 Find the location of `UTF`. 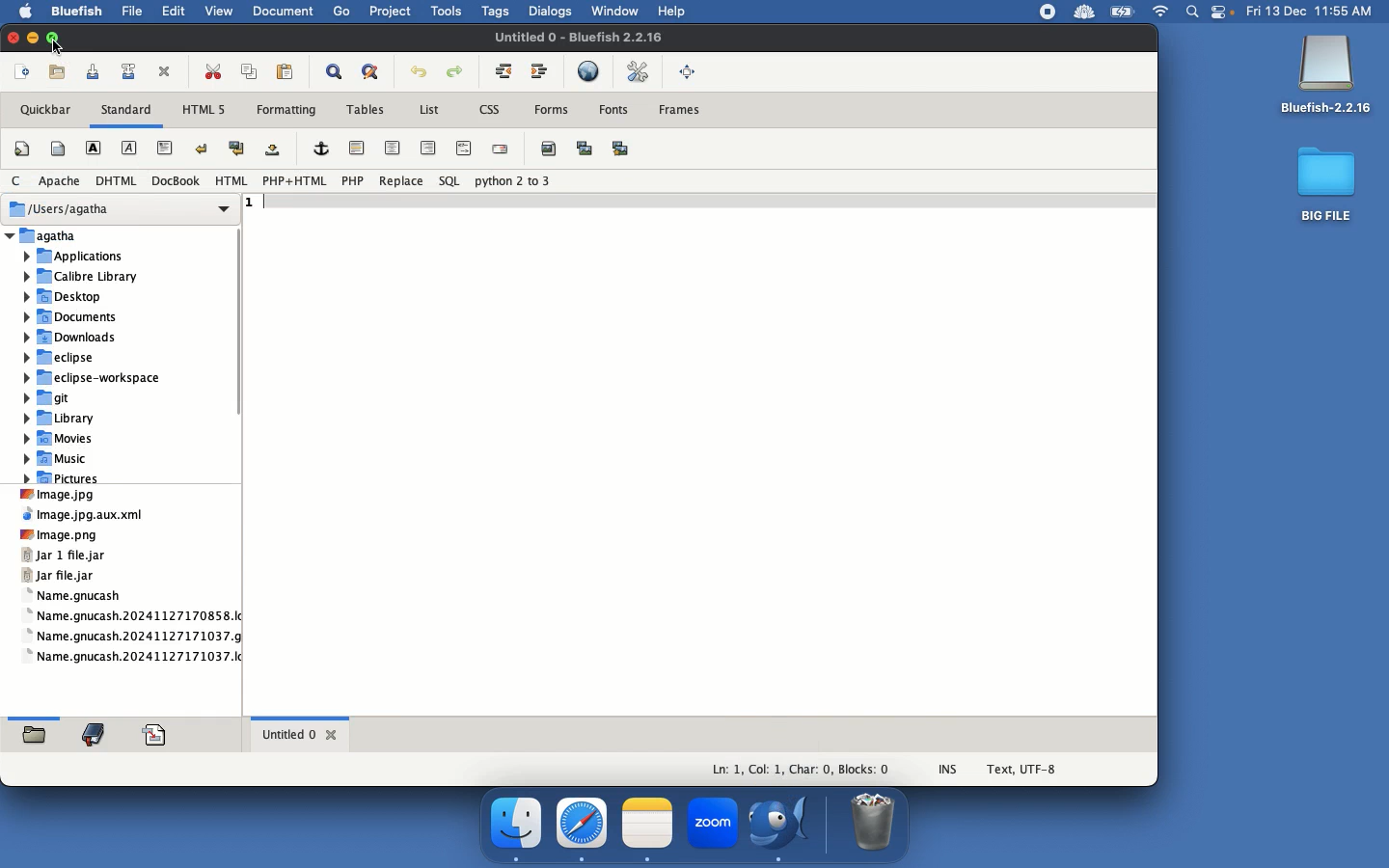

UTF is located at coordinates (1023, 773).